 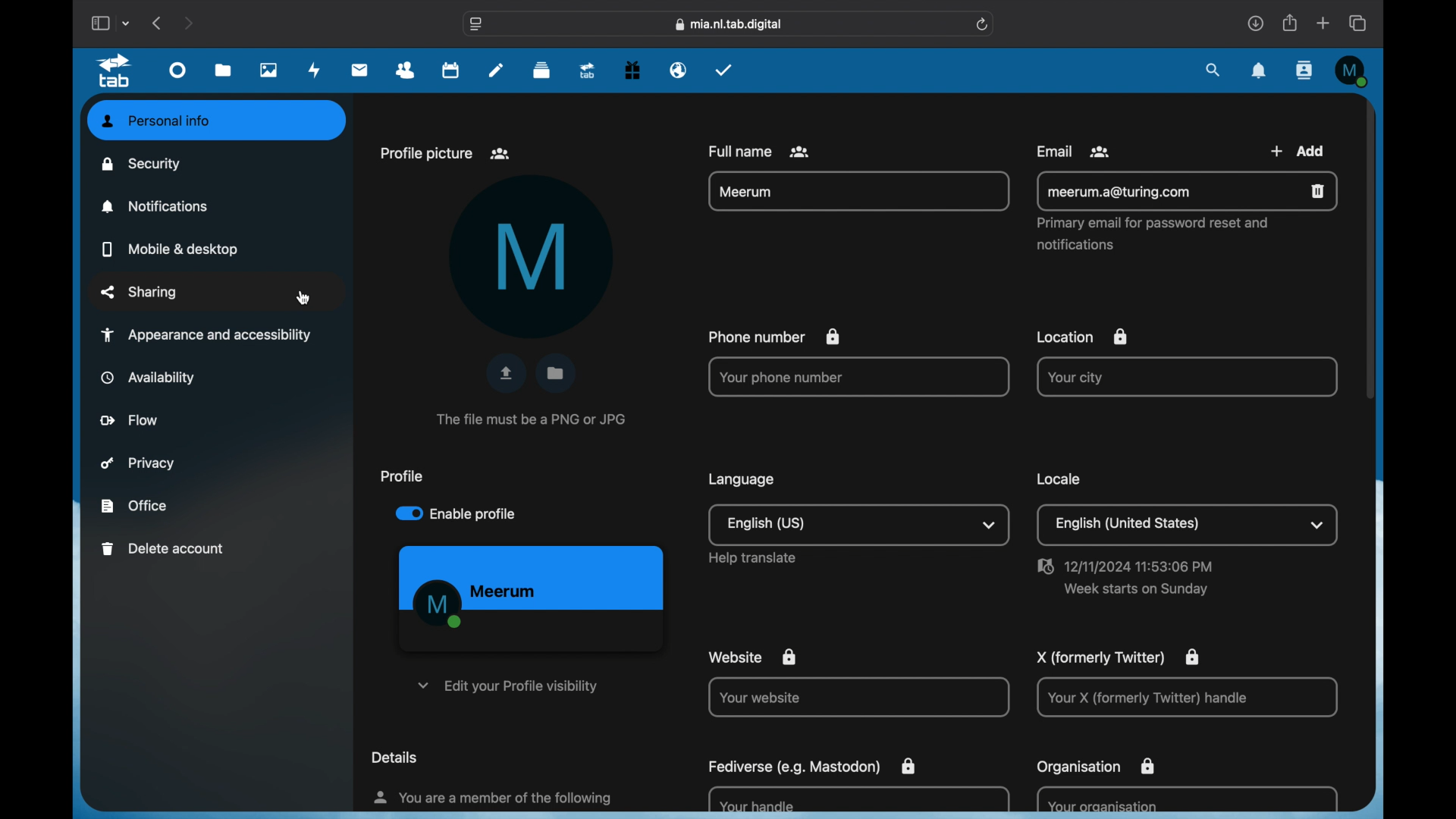 What do you see at coordinates (1259, 71) in the screenshot?
I see `notifications` at bounding box center [1259, 71].